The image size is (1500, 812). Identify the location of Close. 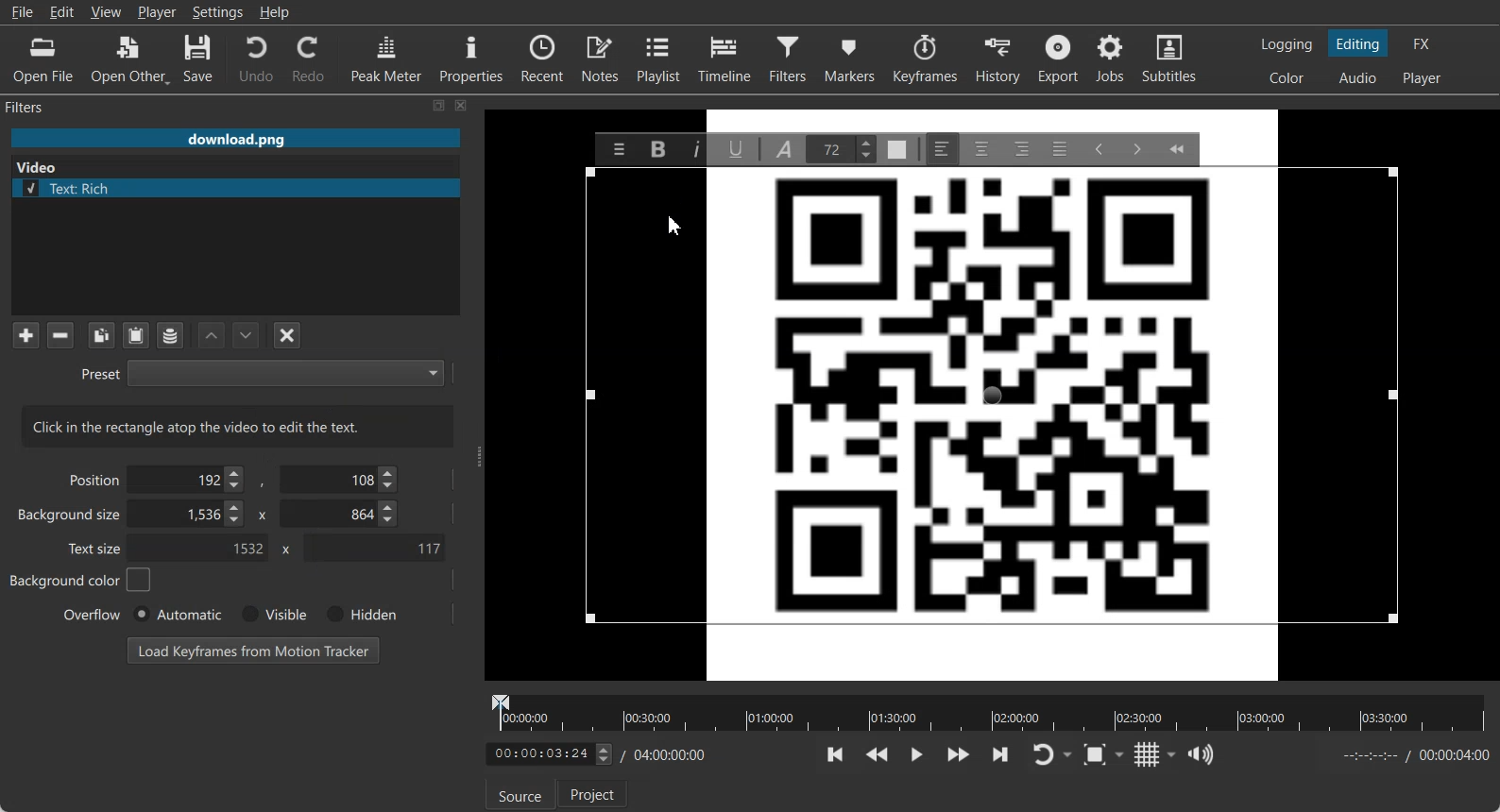
(462, 105).